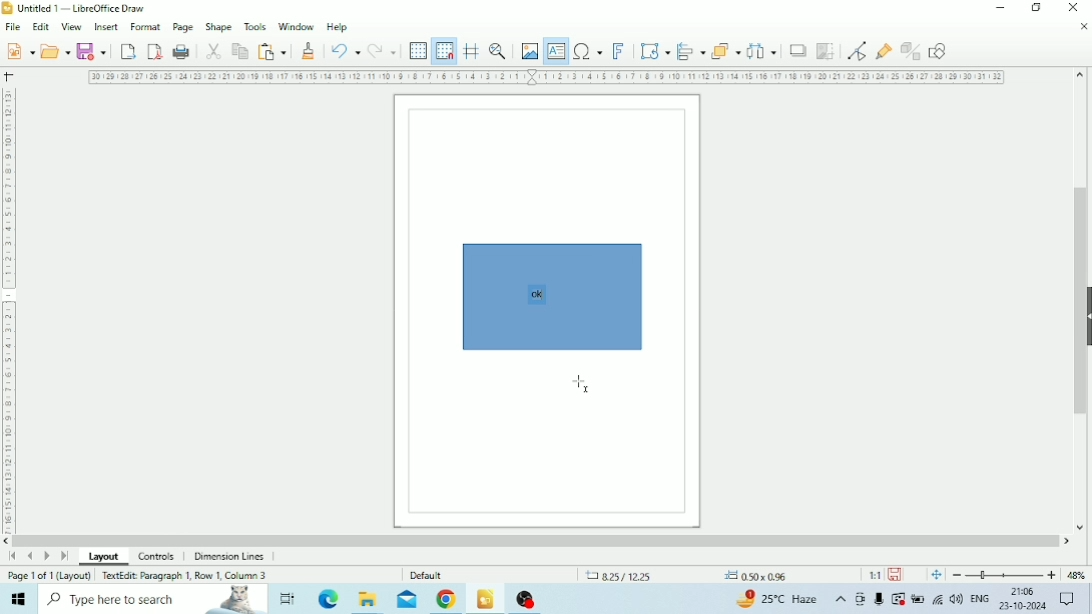 This screenshot has width=1092, height=614. What do you see at coordinates (20, 599) in the screenshot?
I see `Windows` at bounding box center [20, 599].